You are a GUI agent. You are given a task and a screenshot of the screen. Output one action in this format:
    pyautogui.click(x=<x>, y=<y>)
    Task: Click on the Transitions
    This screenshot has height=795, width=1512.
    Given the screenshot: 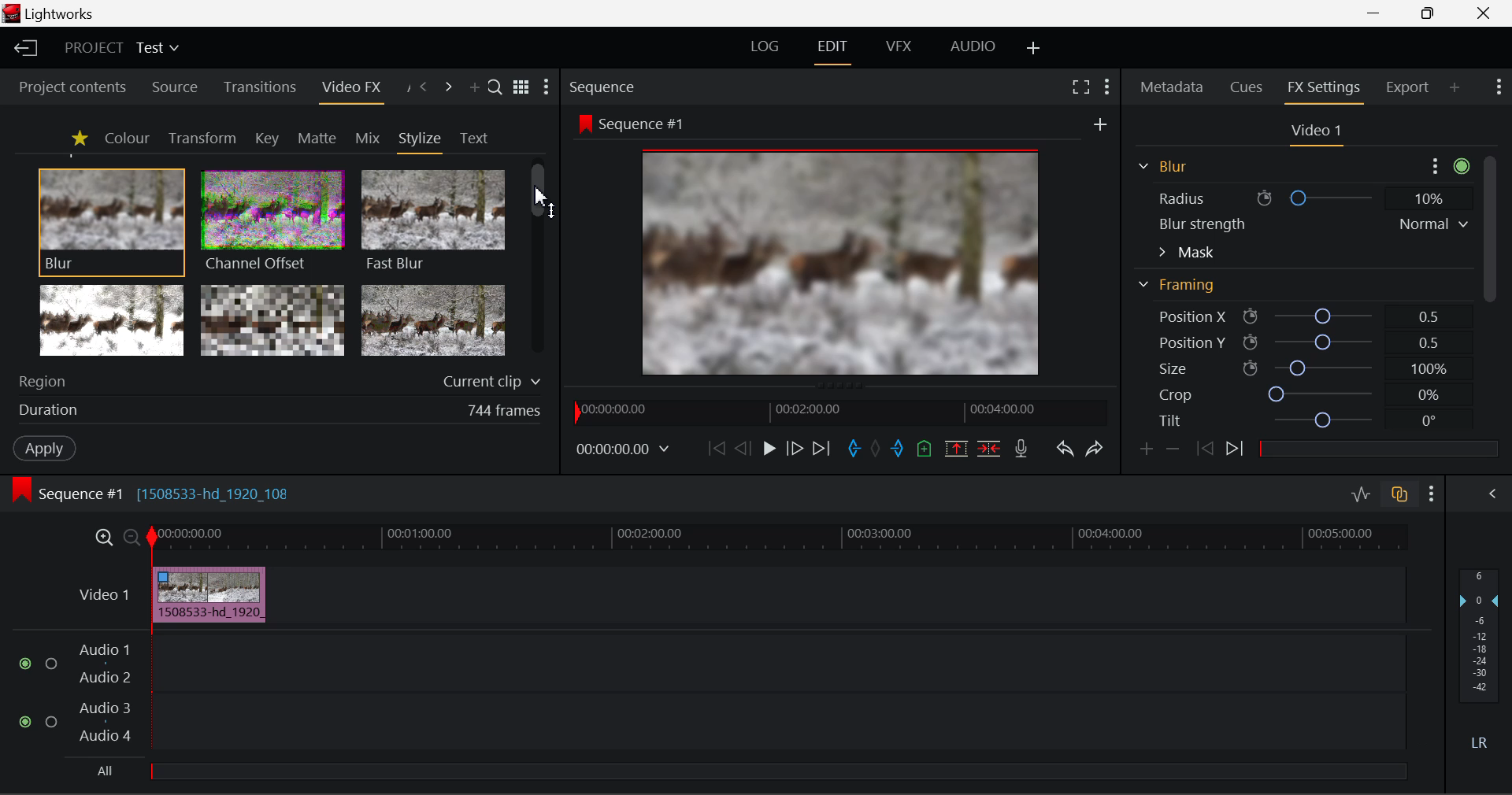 What is the action you would take?
    pyautogui.click(x=258, y=88)
    